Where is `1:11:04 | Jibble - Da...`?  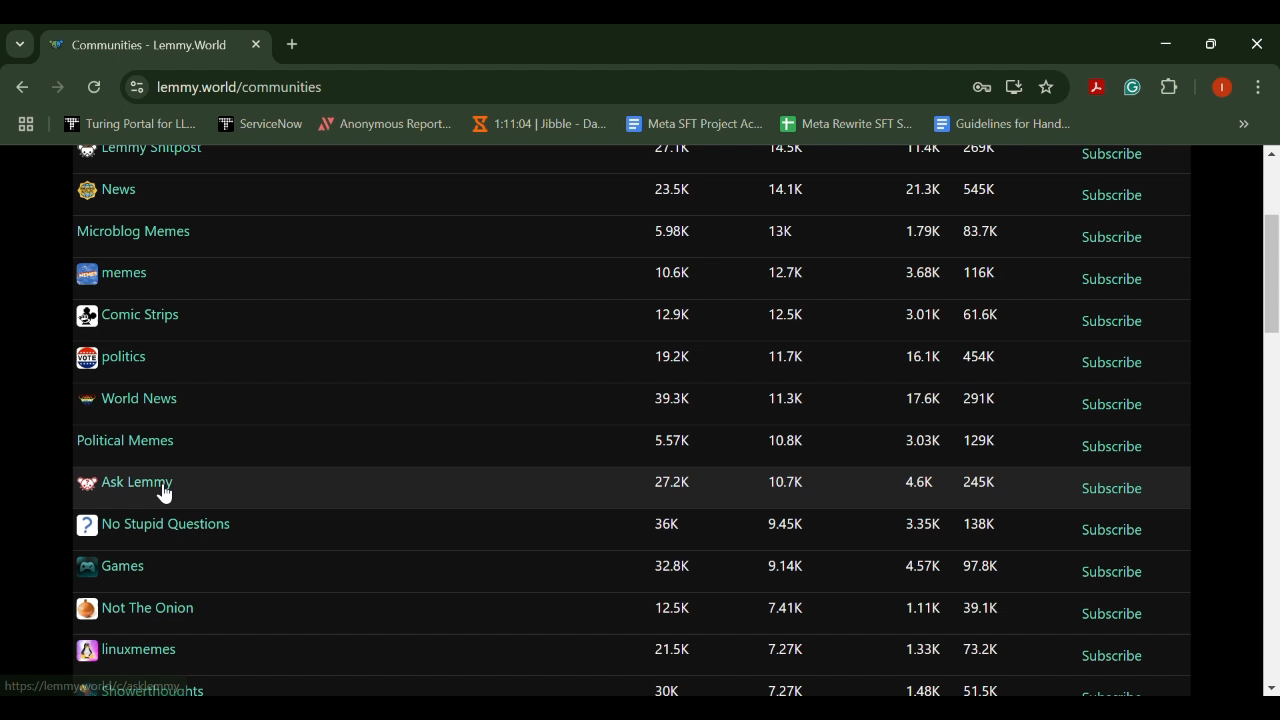
1:11:04 | Jibble - Da... is located at coordinates (538, 124).